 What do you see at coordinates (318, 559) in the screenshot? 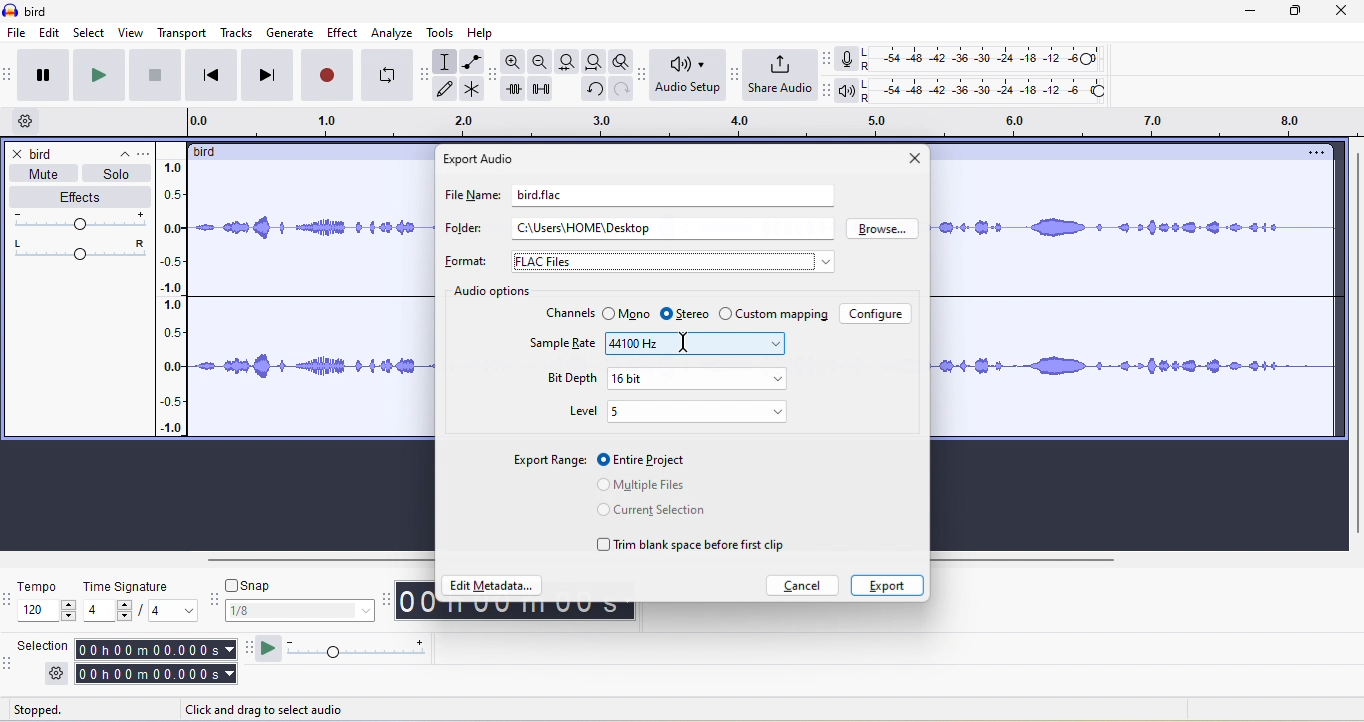
I see `horizontal scroll bar` at bounding box center [318, 559].